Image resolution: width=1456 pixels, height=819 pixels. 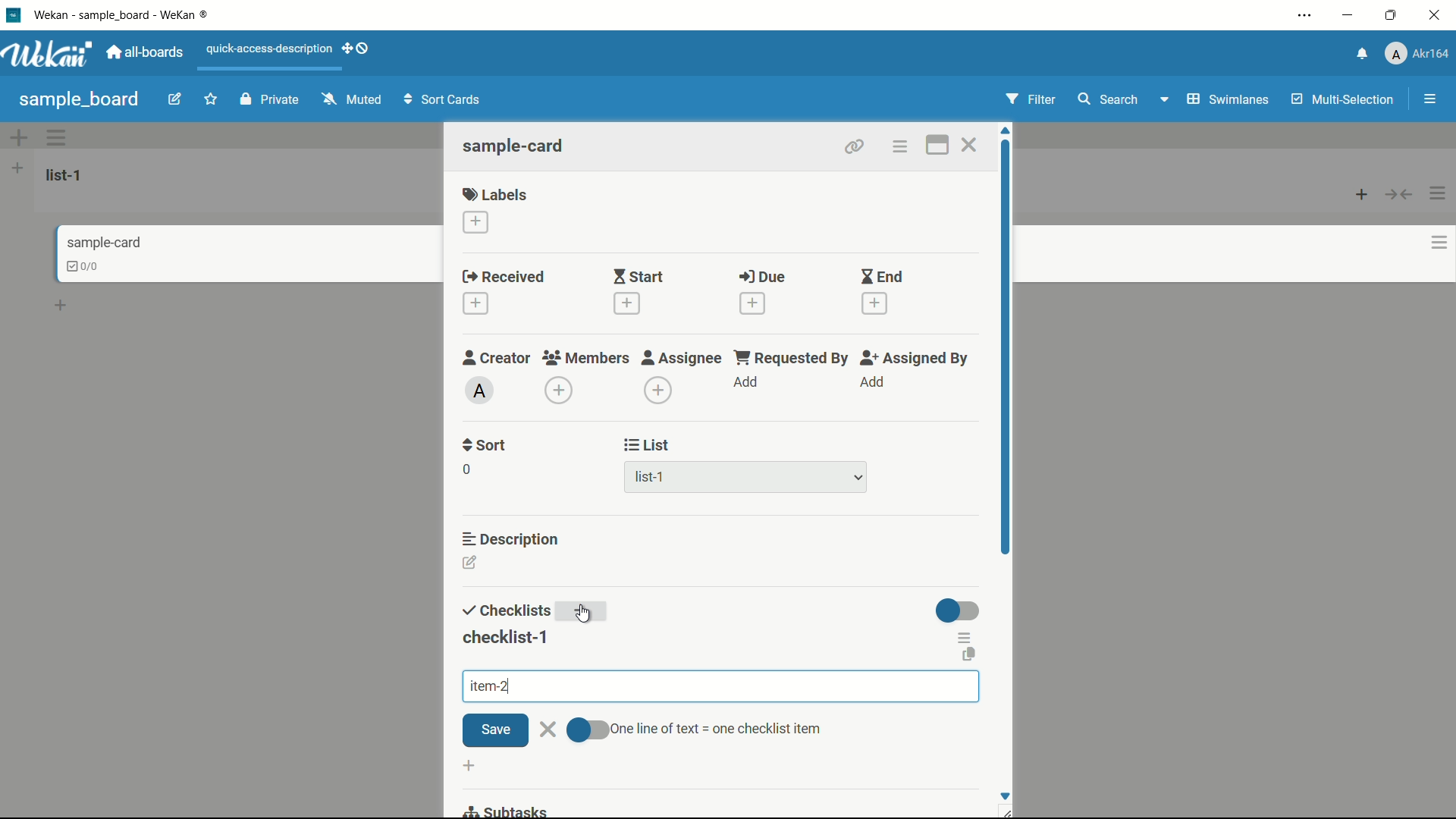 What do you see at coordinates (504, 810) in the screenshot?
I see `subtasks` at bounding box center [504, 810].